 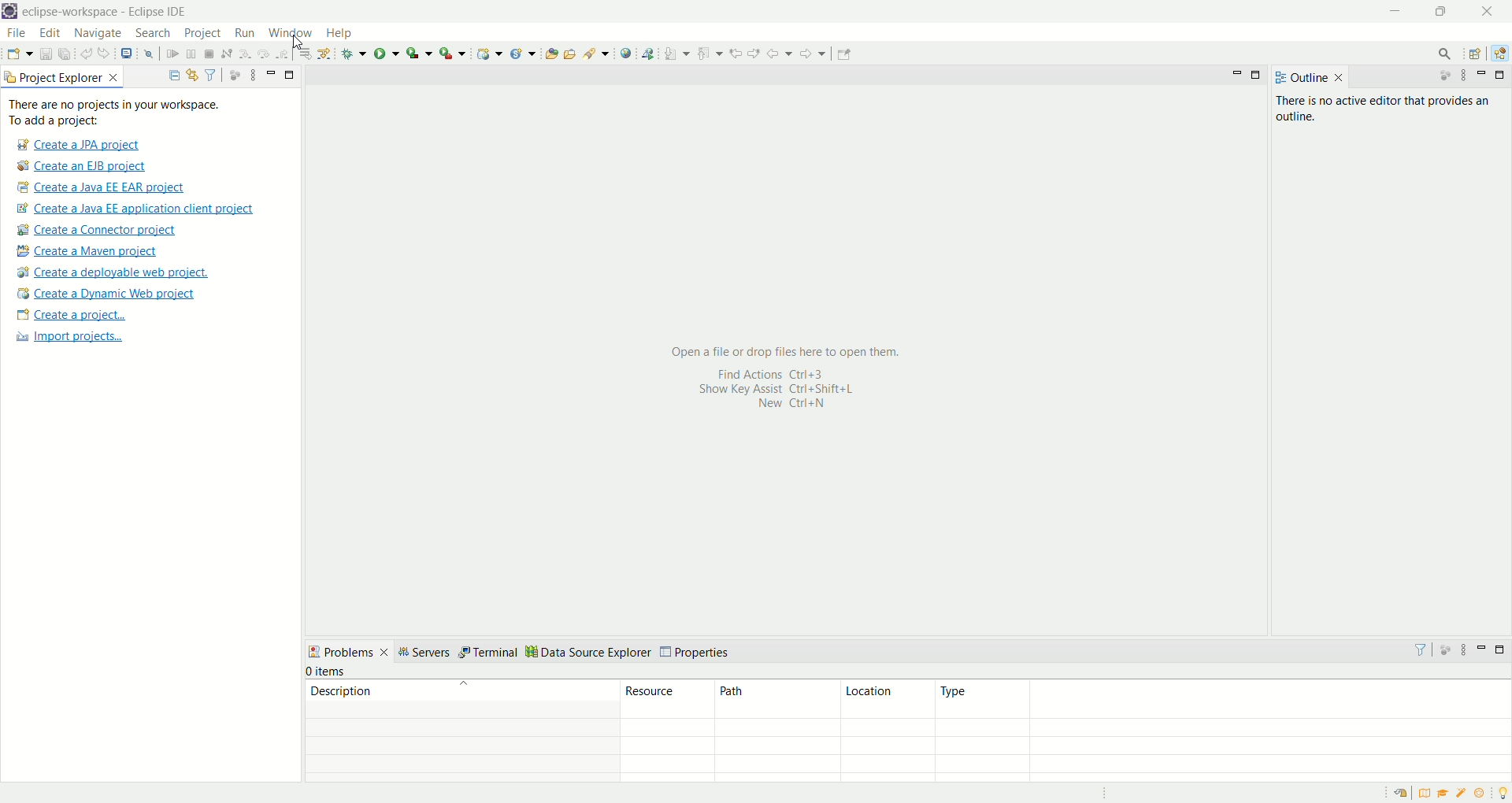 I want to click on save all, so click(x=65, y=54).